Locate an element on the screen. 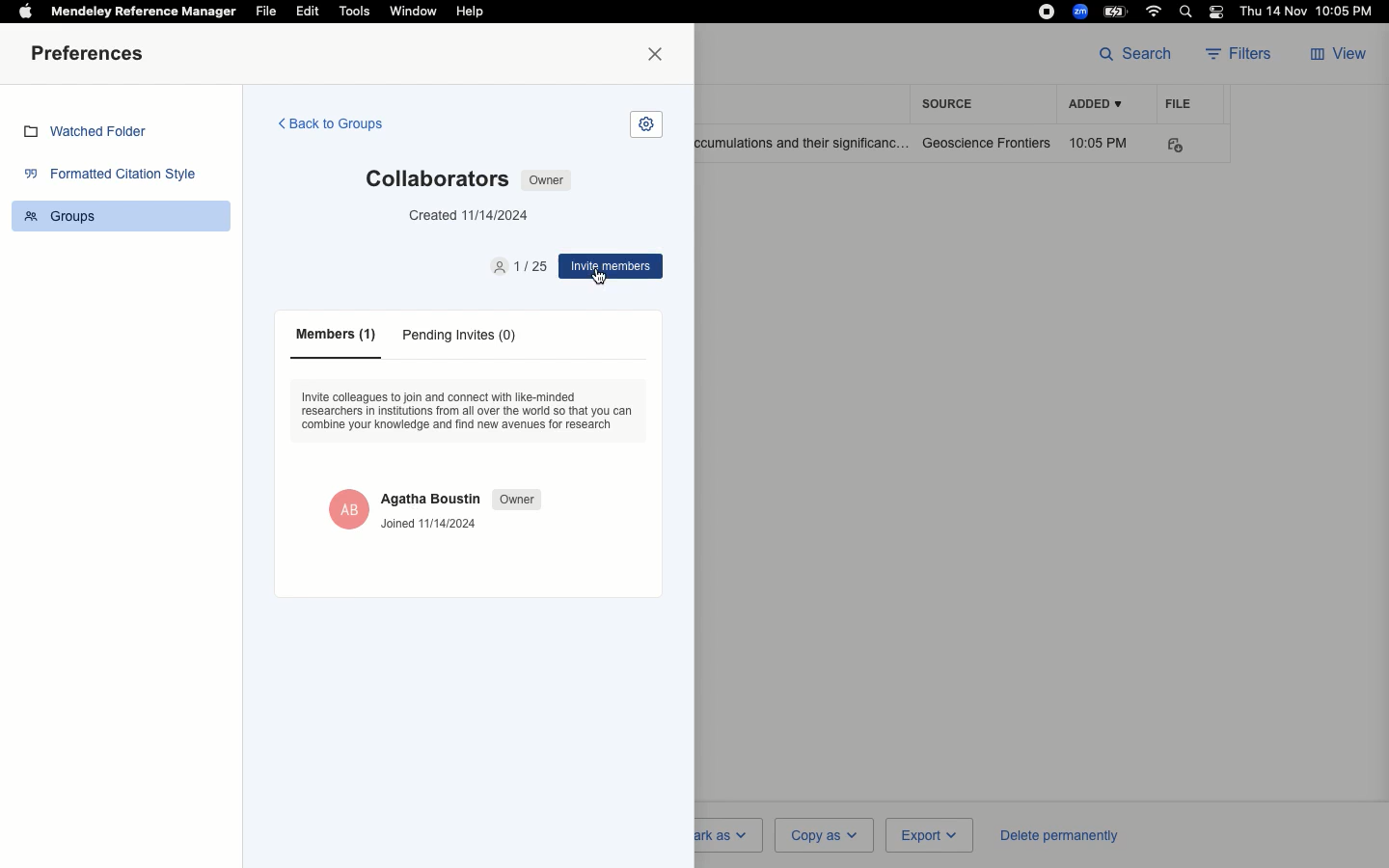 The width and height of the screenshot is (1389, 868). cursor is located at coordinates (600, 279).